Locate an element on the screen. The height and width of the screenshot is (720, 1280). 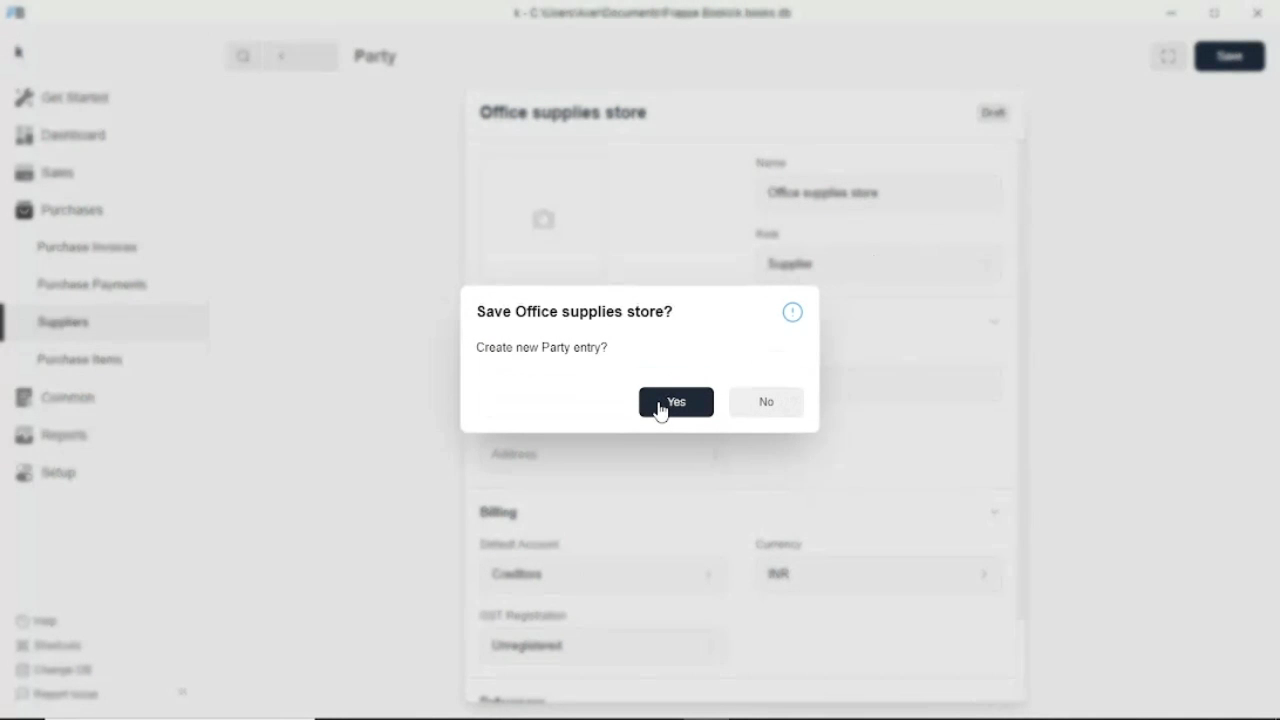
Purchase invoices is located at coordinates (87, 245).